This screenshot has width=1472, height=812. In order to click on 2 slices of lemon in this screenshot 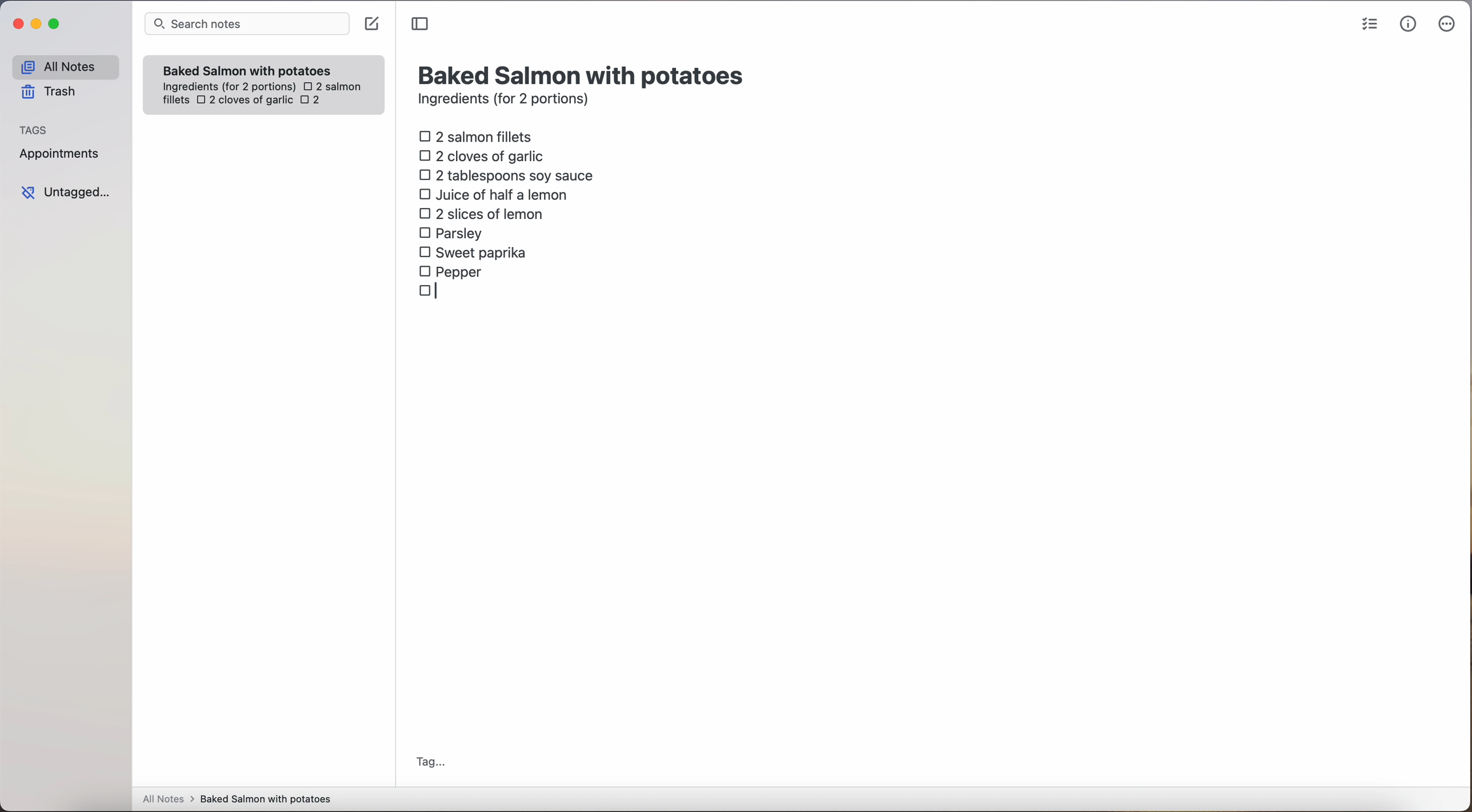, I will do `click(482, 214)`.